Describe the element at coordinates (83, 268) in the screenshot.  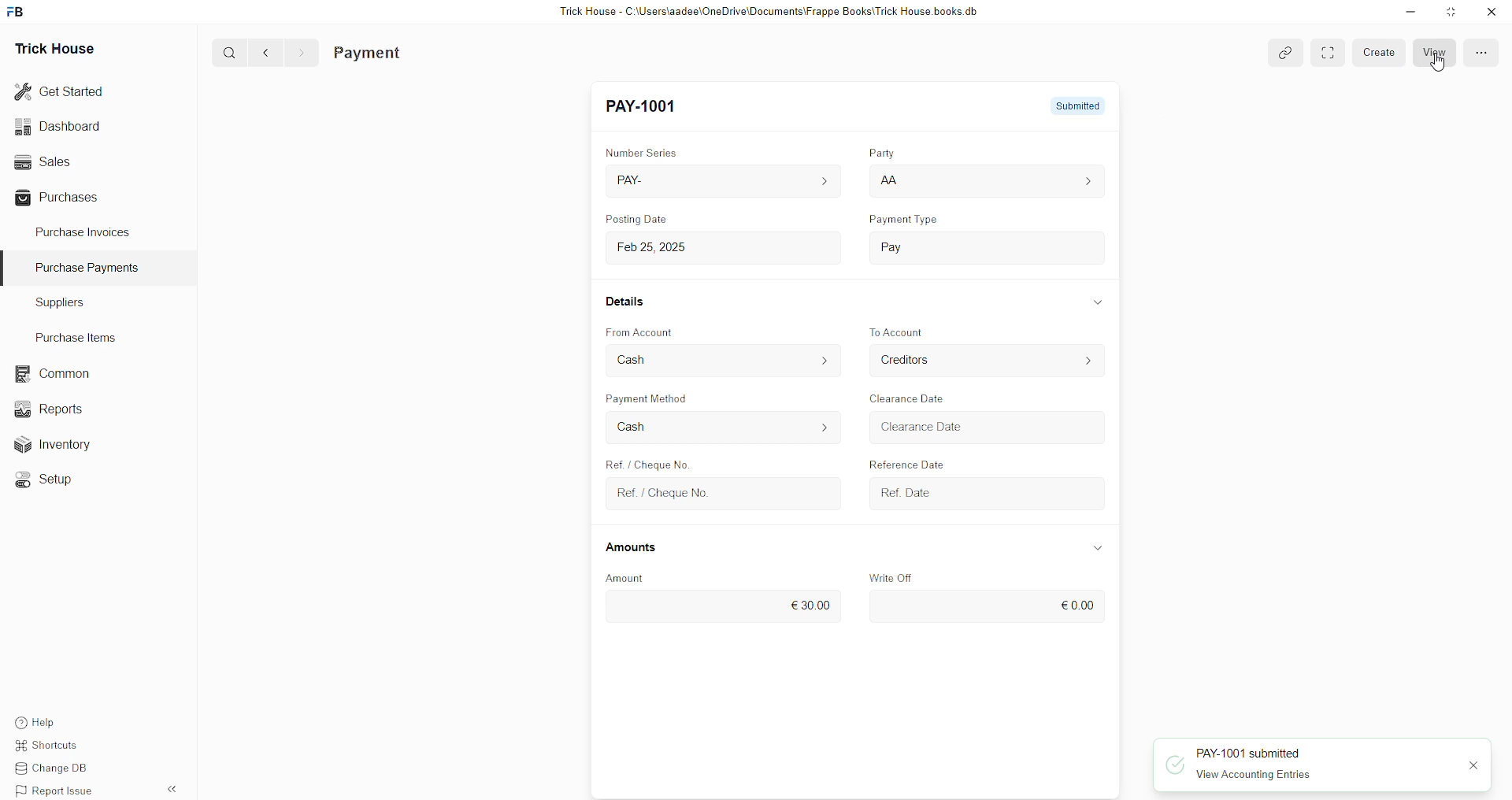
I see `Purchase PaymenTS` at that location.